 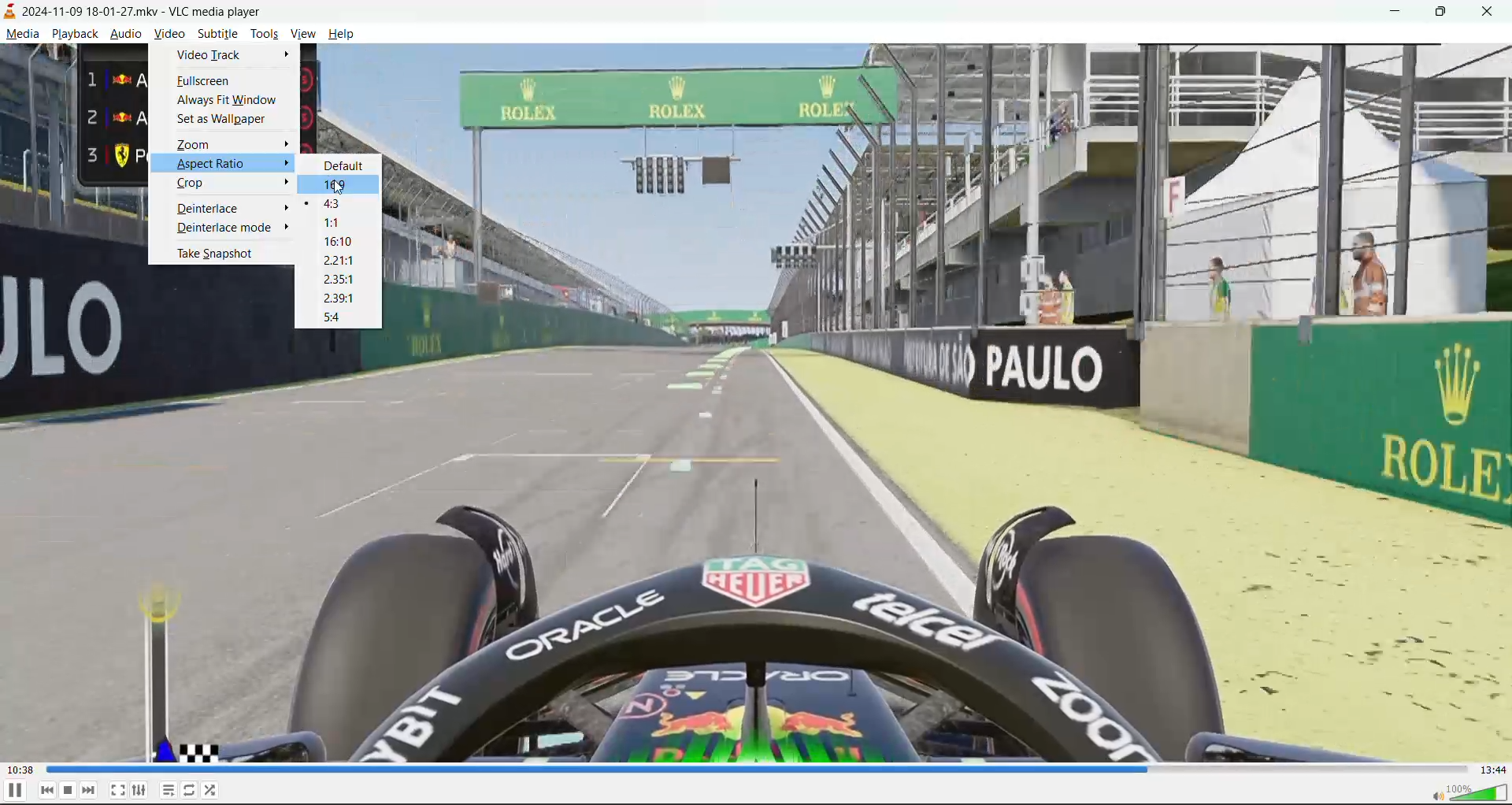 I want to click on deinterlace, so click(x=214, y=207).